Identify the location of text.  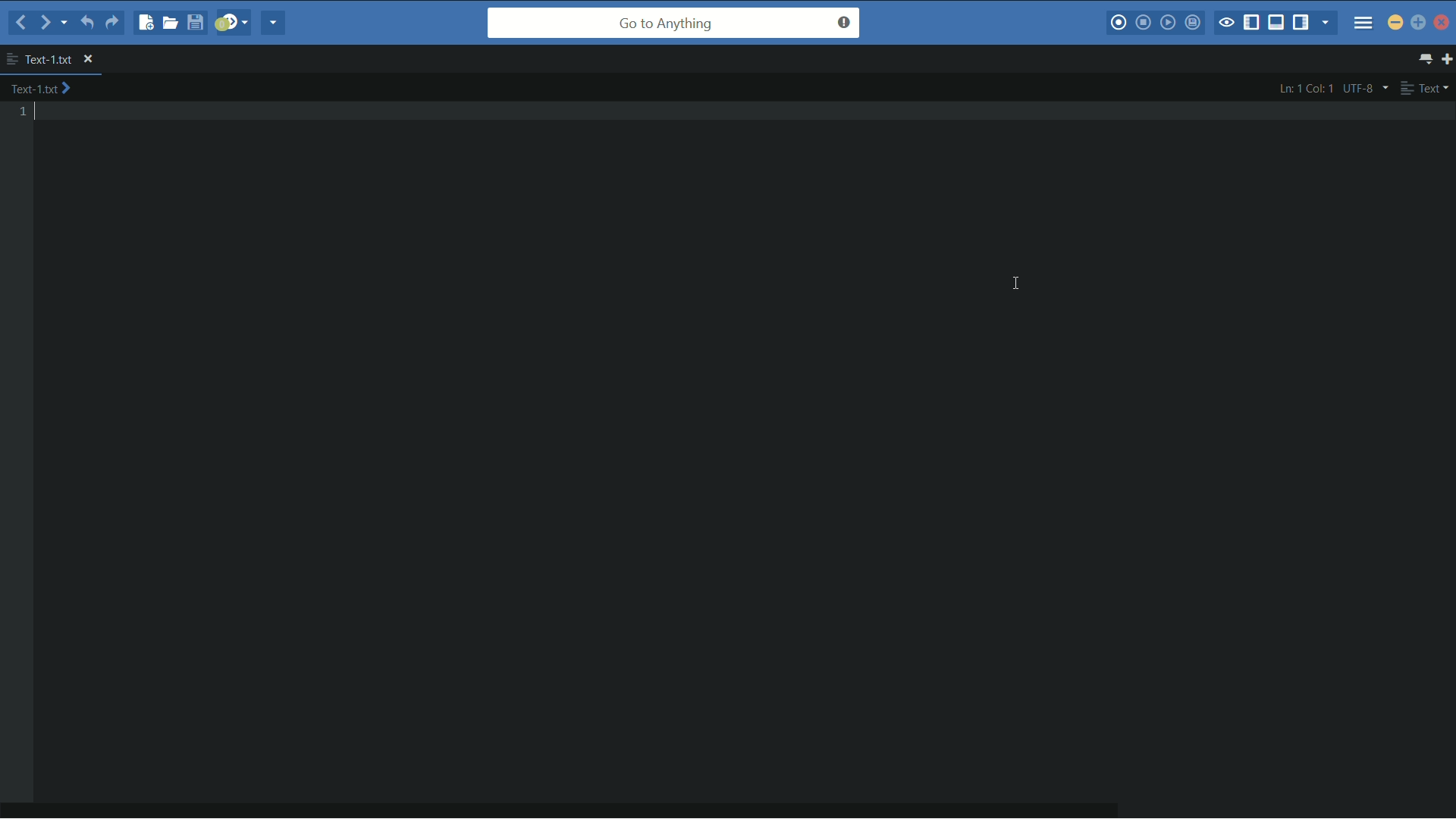
(1423, 89).